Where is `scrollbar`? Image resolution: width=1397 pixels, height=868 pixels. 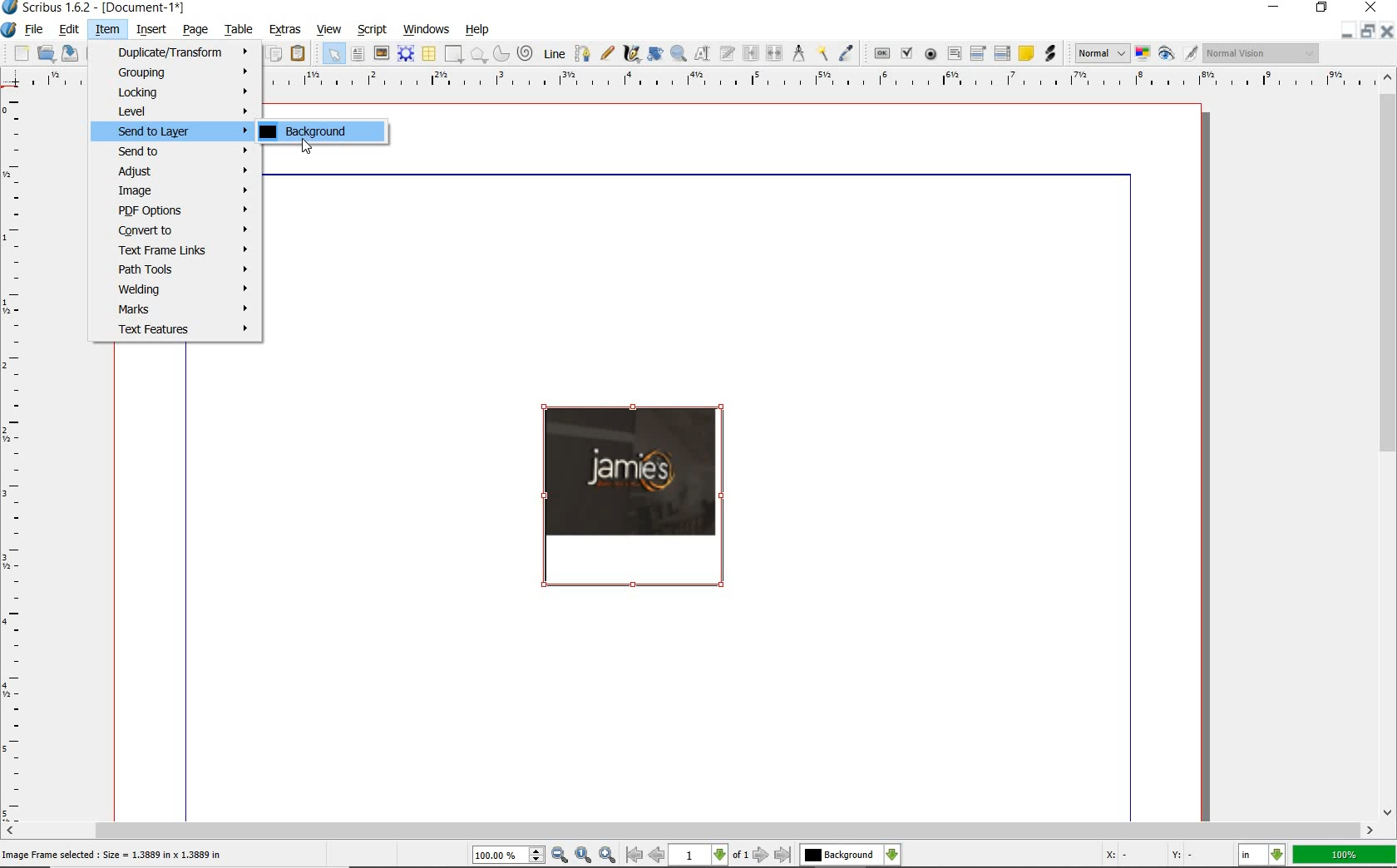
scrollbar is located at coordinates (1389, 445).